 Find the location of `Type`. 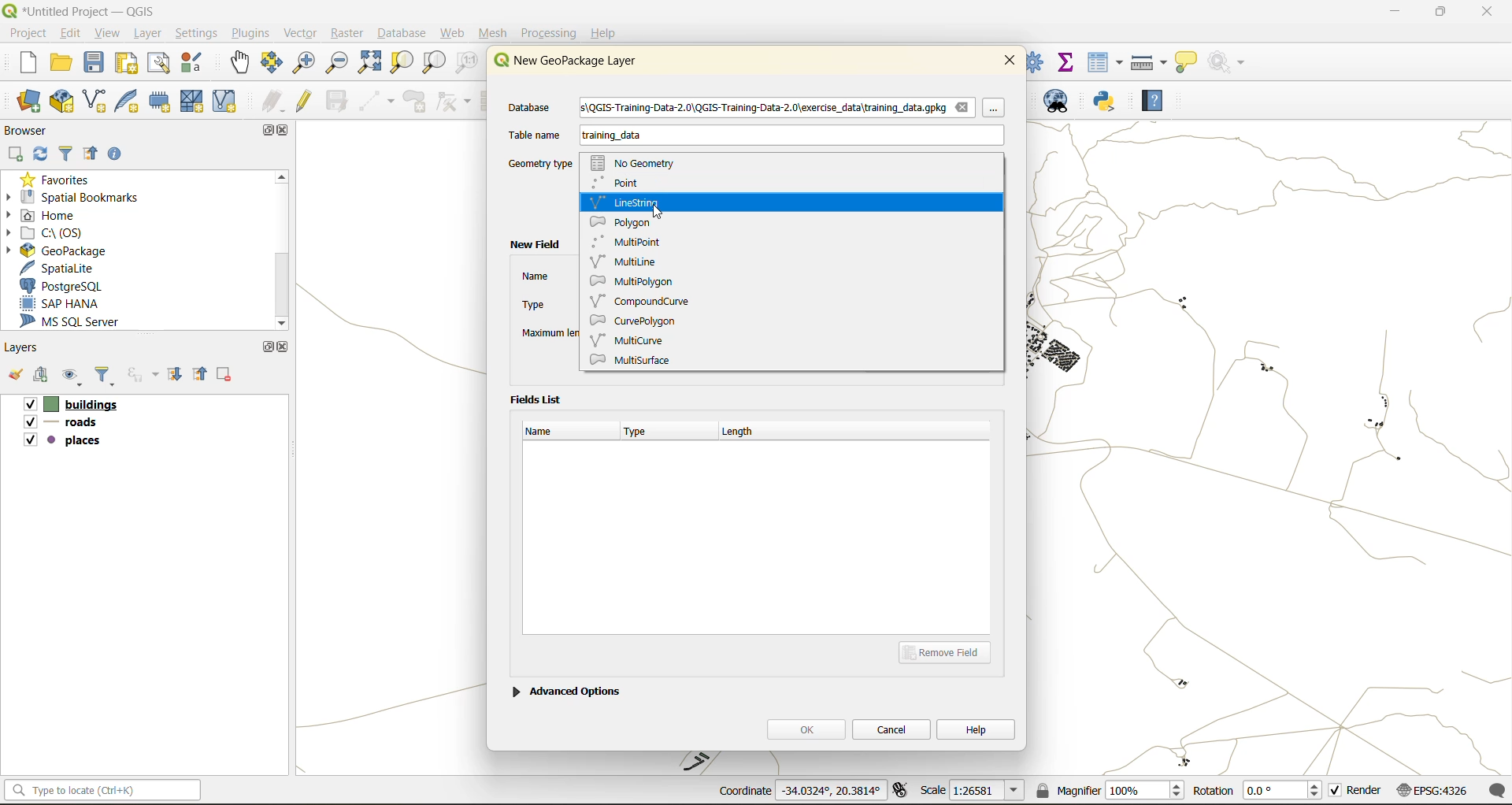

Type is located at coordinates (533, 306).